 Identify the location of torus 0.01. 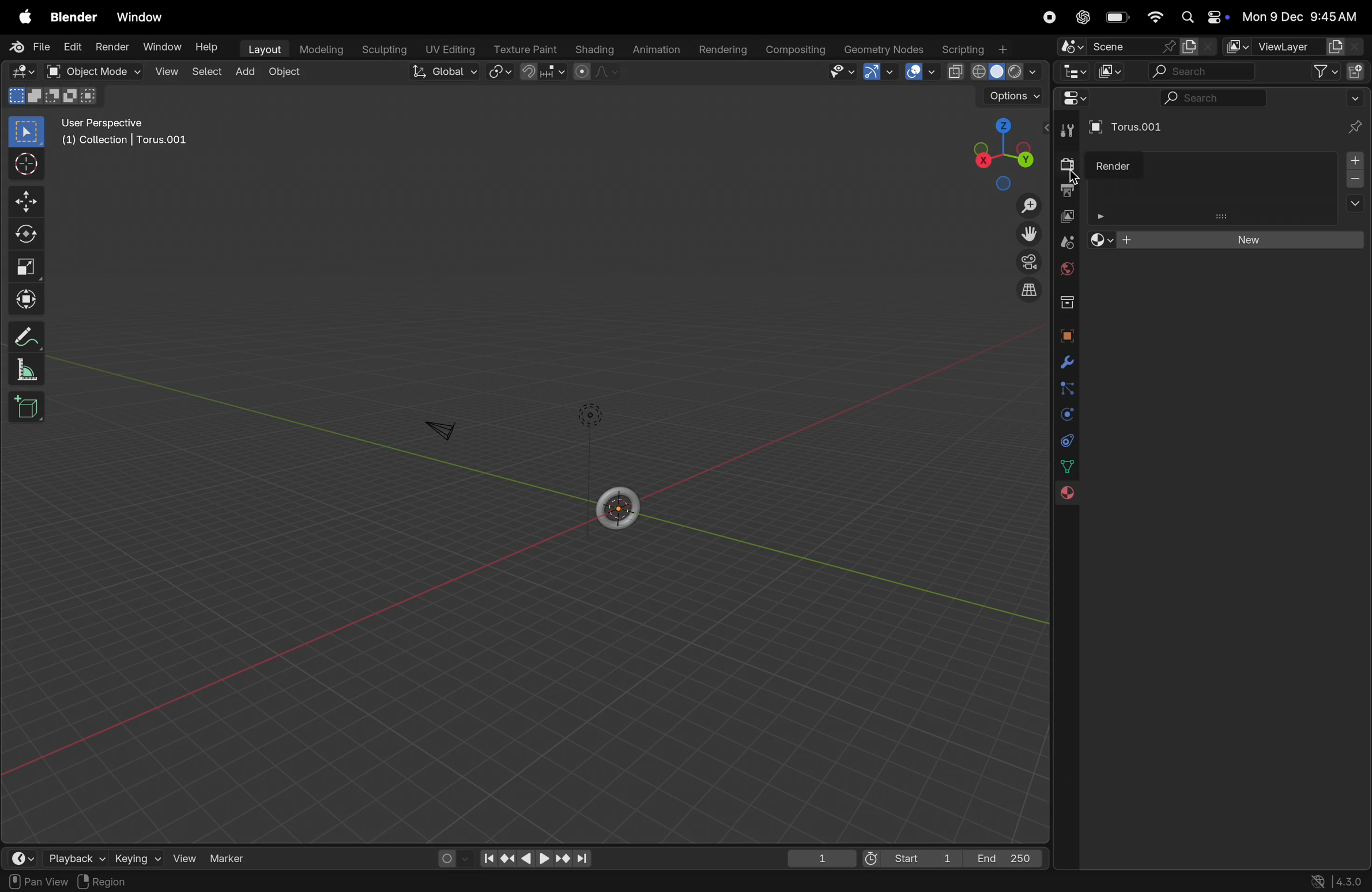
(1126, 129).